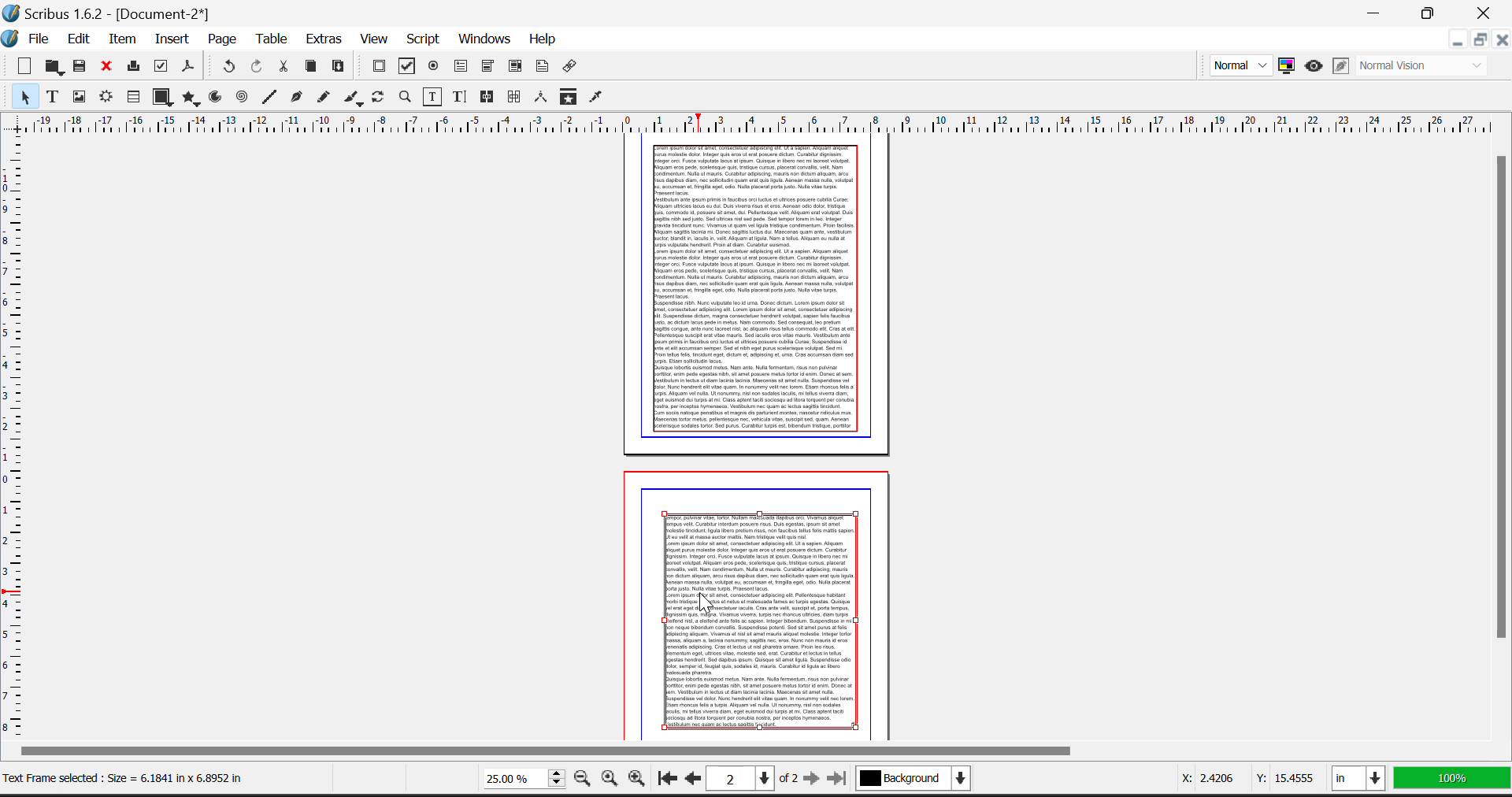 This screenshot has height=797, width=1512. Describe the element at coordinates (339, 68) in the screenshot. I see `Paste` at that location.